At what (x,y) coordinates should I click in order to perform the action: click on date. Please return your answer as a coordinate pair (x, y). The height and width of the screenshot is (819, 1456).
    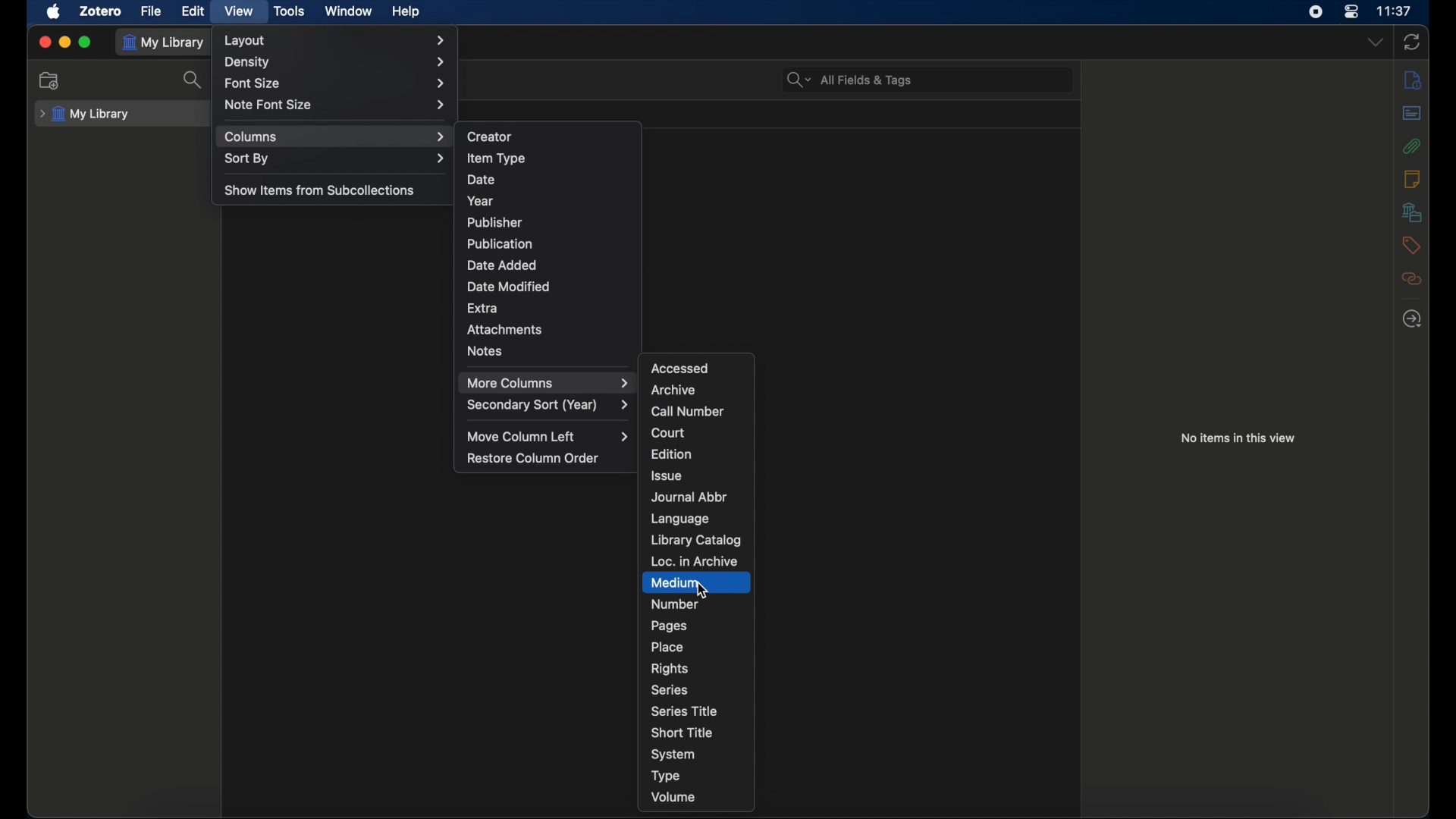
    Looking at the image, I should click on (481, 180).